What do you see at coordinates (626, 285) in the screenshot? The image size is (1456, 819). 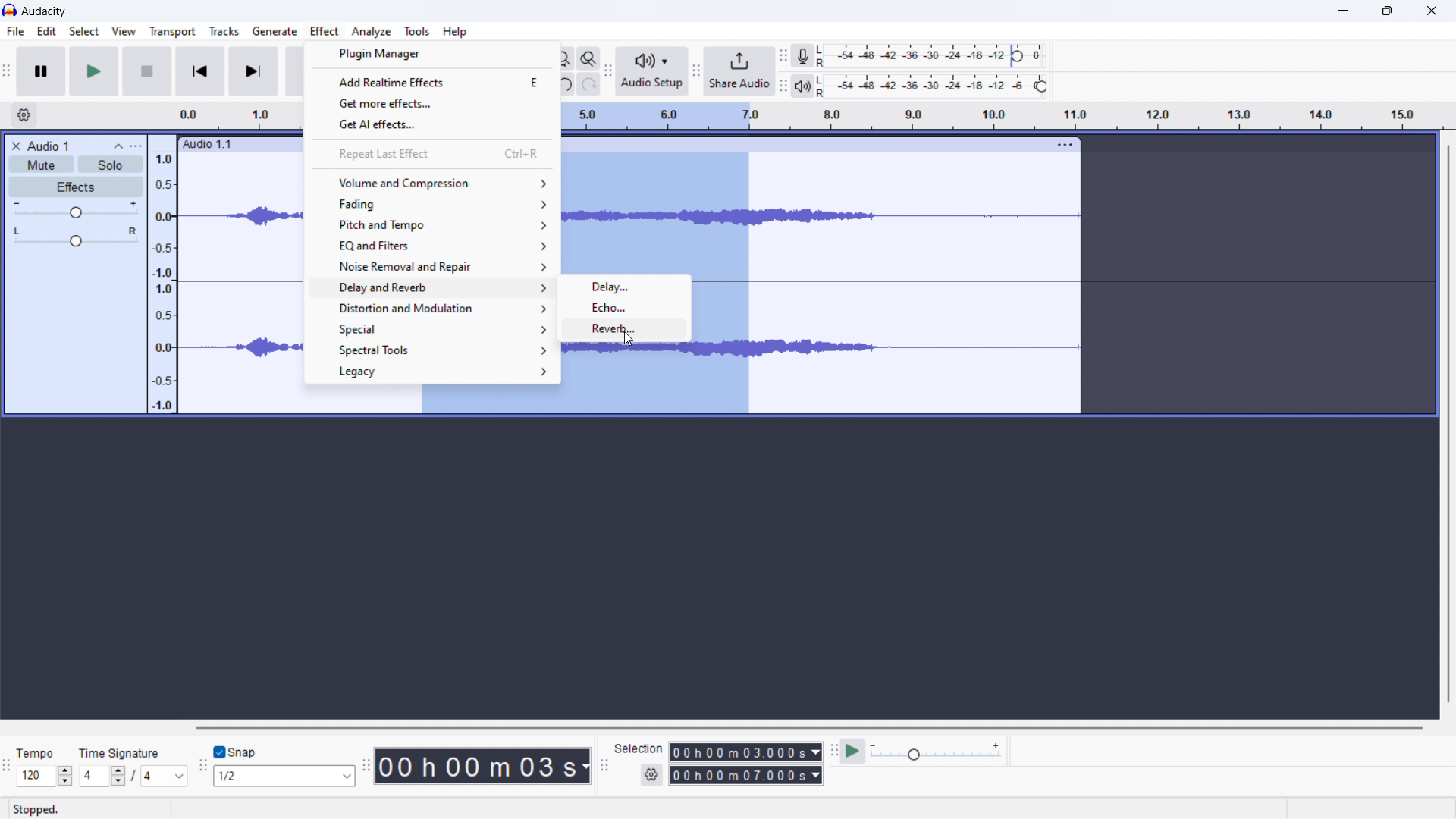 I see `delay...` at bounding box center [626, 285].